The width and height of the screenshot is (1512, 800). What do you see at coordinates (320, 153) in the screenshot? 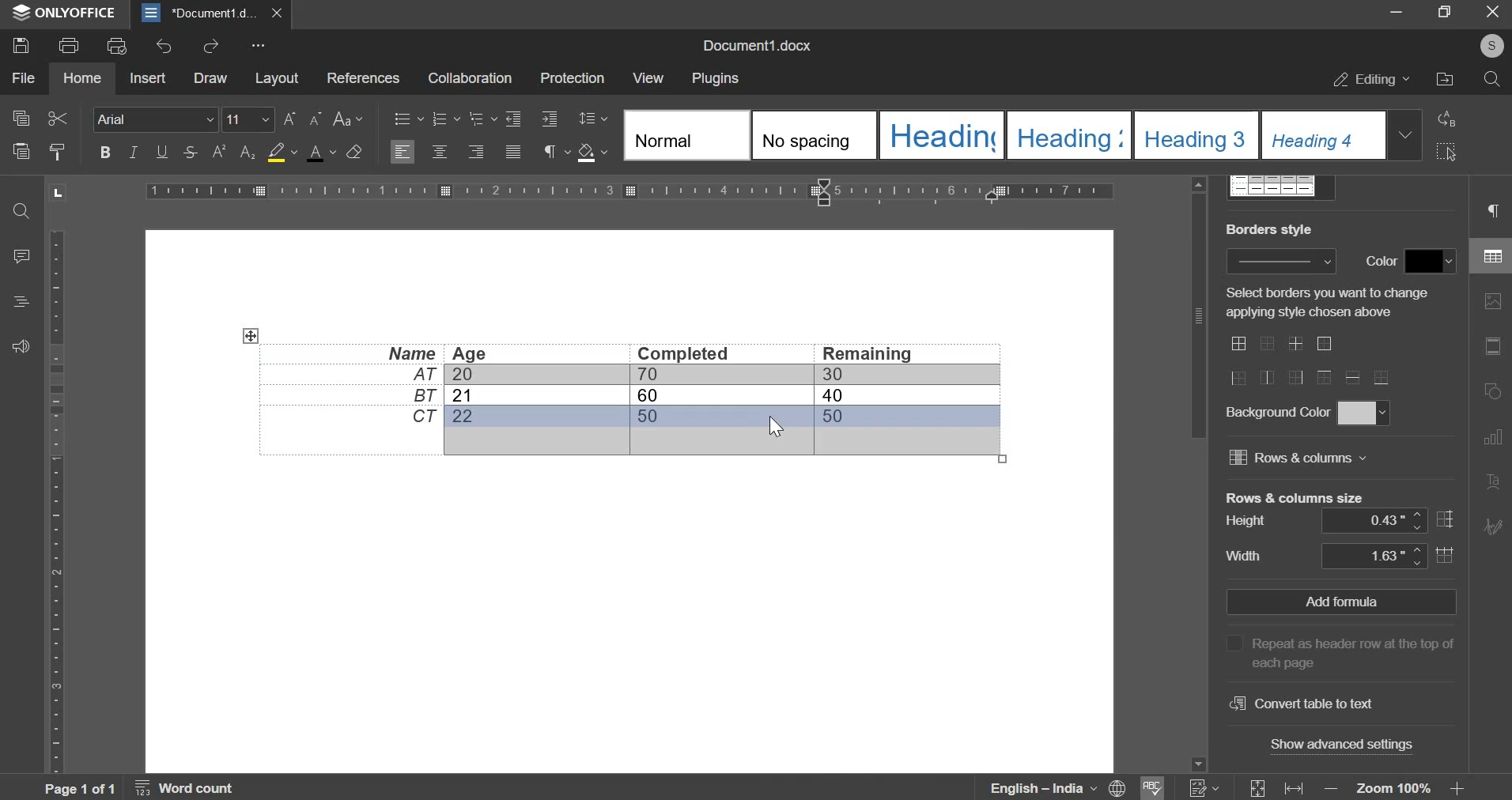
I see `font color` at bounding box center [320, 153].